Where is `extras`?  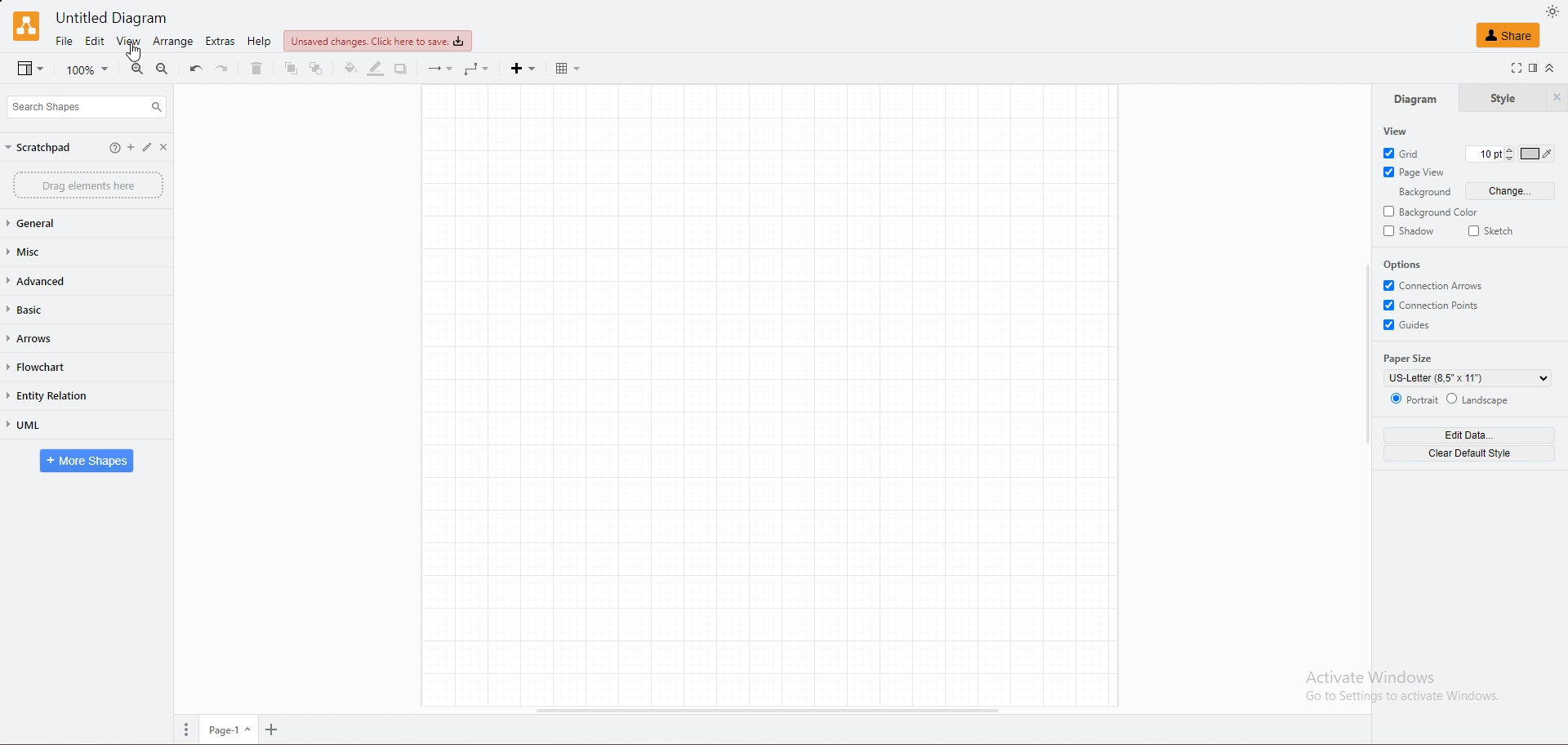
extras is located at coordinates (220, 42).